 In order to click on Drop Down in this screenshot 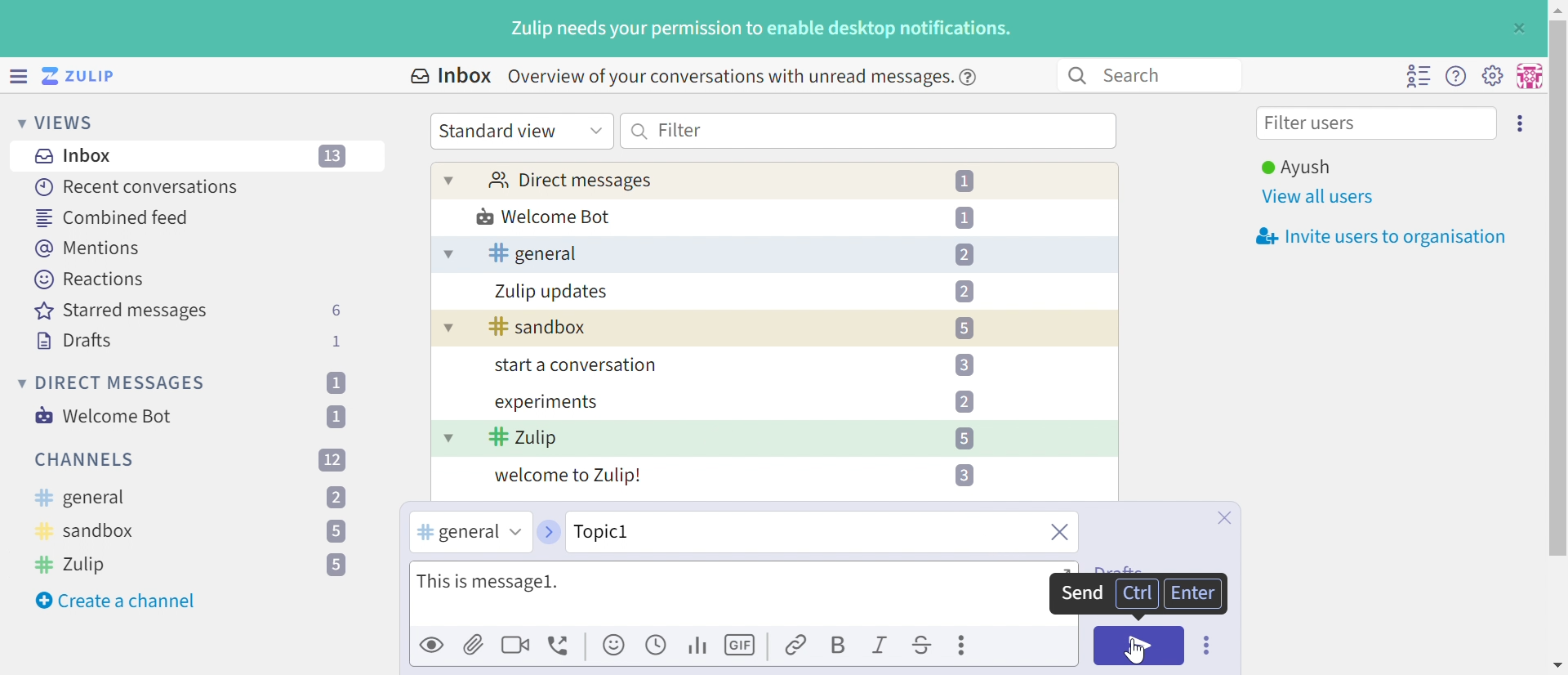, I will do `click(449, 180)`.